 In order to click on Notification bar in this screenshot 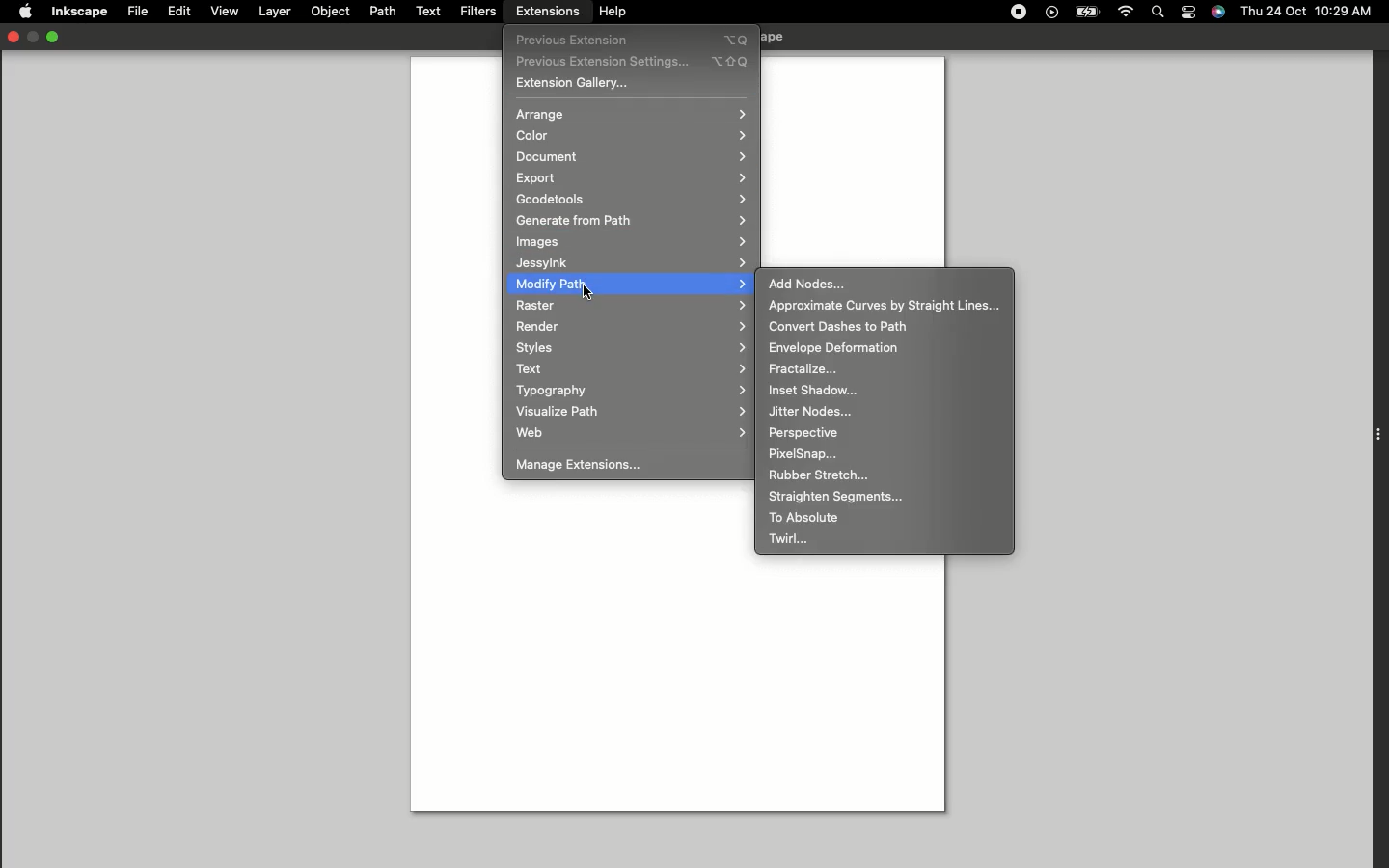, I will do `click(1188, 13)`.